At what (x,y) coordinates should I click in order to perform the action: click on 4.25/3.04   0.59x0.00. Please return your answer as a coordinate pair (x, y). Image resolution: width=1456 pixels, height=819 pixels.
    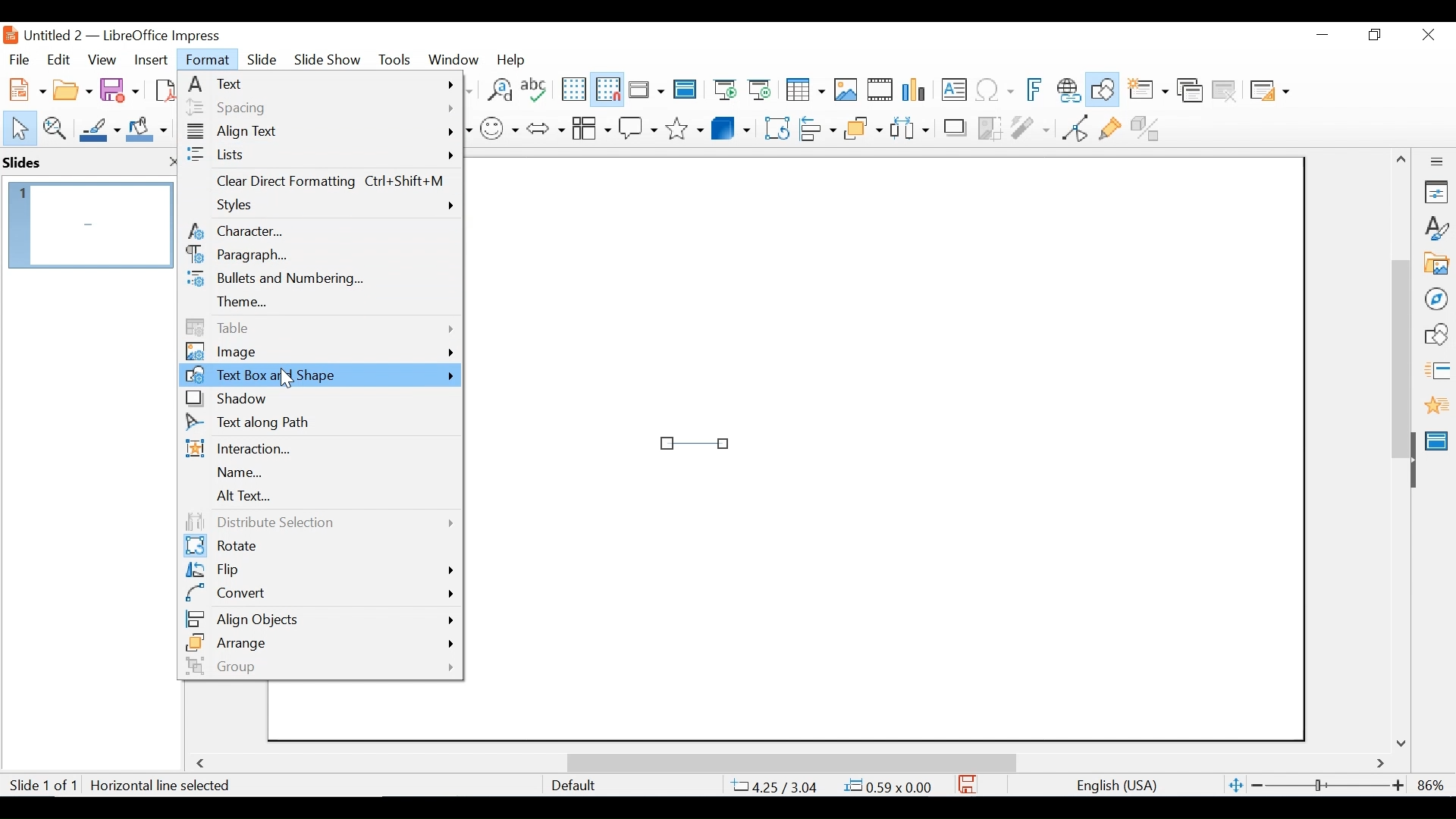
    Looking at the image, I should click on (833, 786).